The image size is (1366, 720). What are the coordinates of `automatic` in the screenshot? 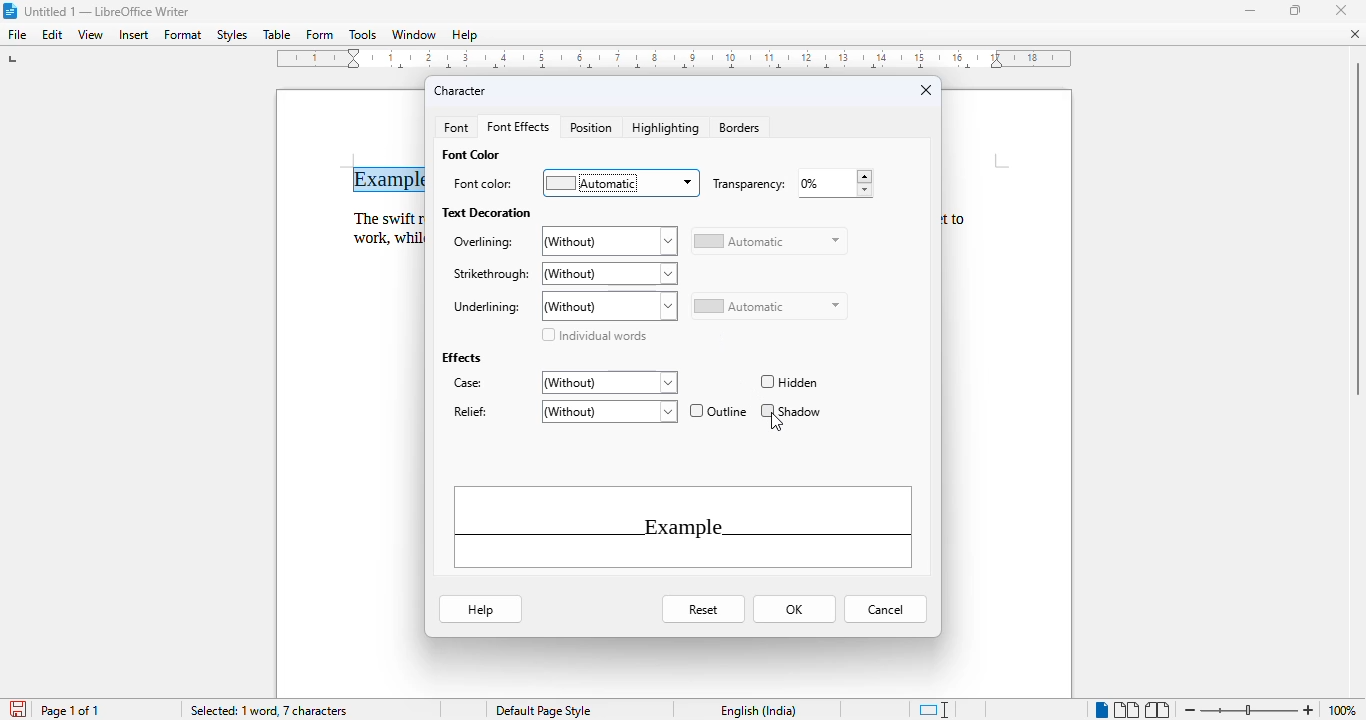 It's located at (769, 241).